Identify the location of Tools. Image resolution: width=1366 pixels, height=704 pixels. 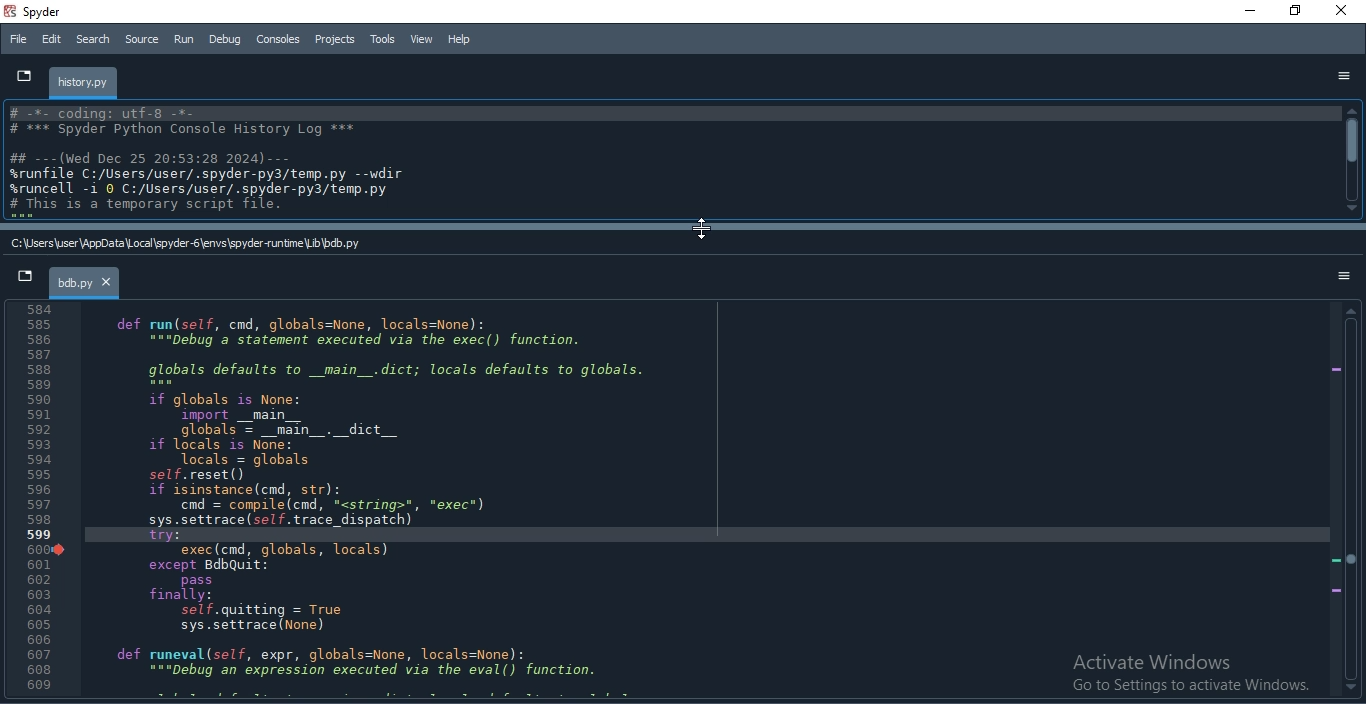
(383, 38).